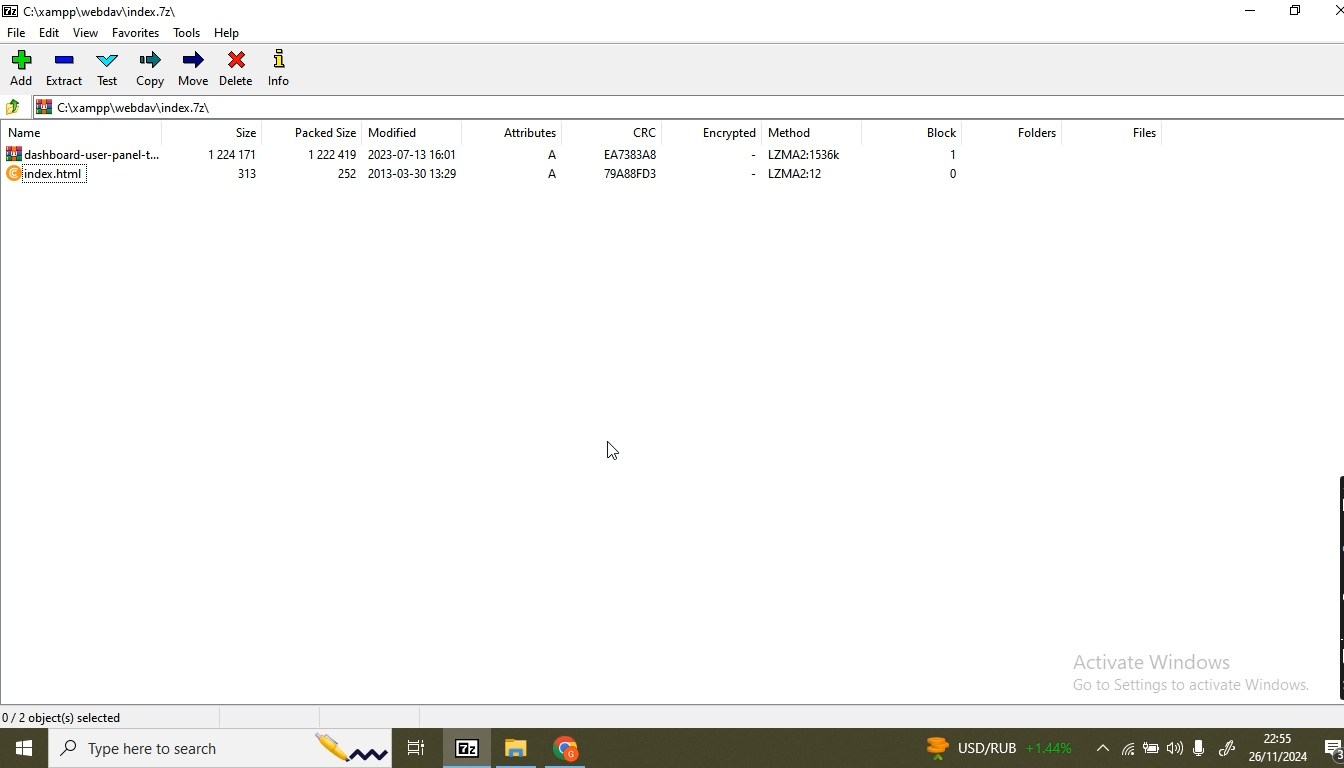 The width and height of the screenshot is (1344, 768). What do you see at coordinates (1336, 10) in the screenshot?
I see `close` at bounding box center [1336, 10].